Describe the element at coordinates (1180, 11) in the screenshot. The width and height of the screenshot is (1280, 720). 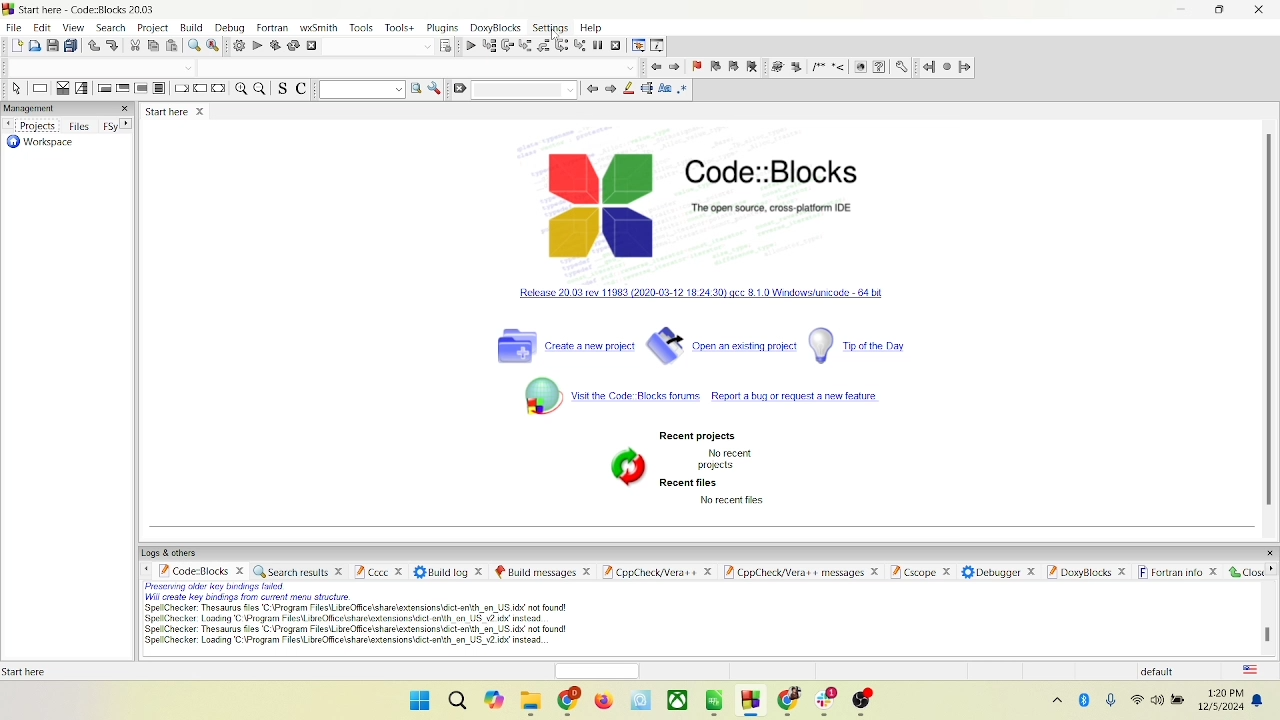
I see `minimize` at that location.